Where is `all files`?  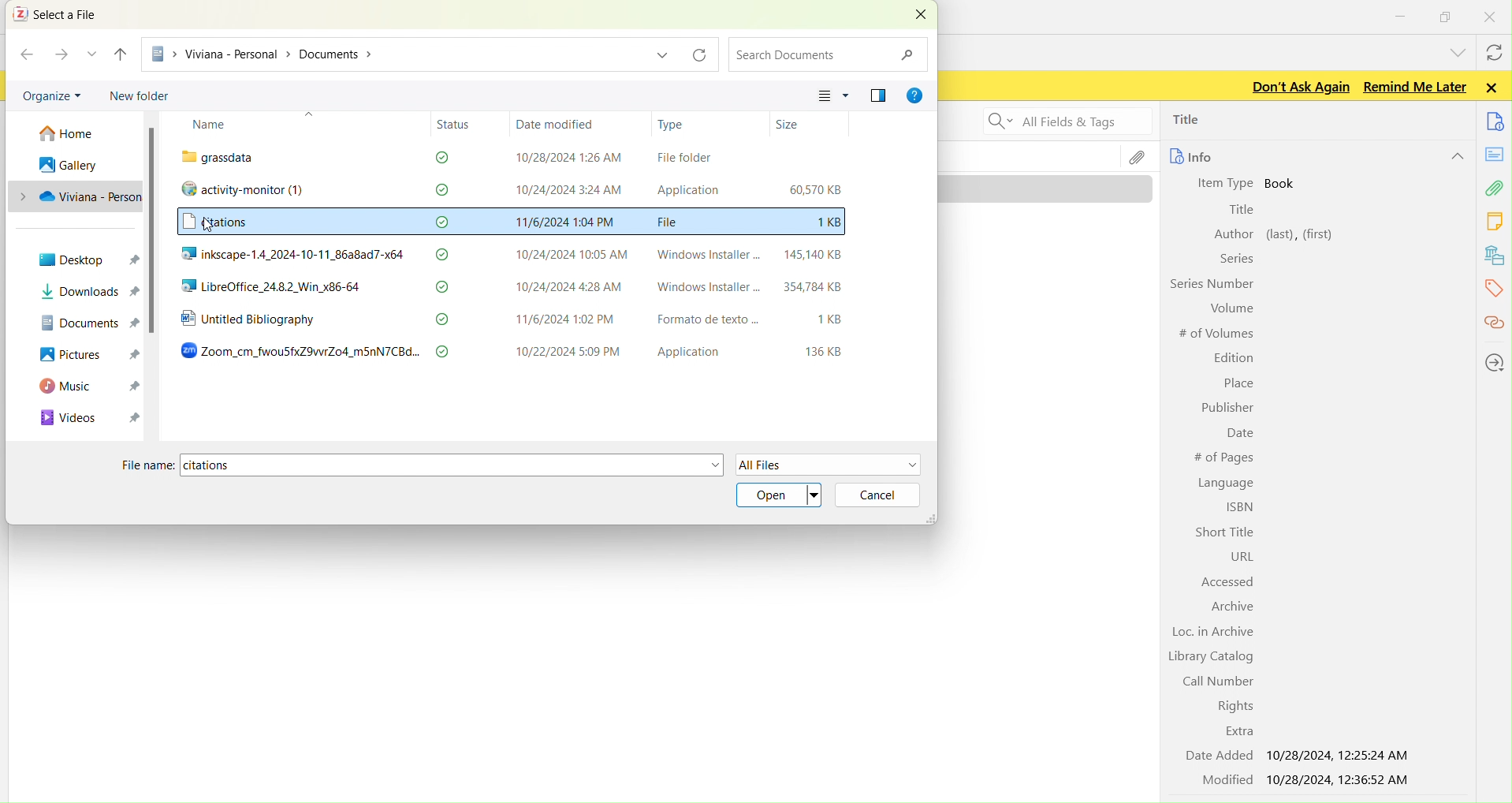 all files is located at coordinates (825, 464).